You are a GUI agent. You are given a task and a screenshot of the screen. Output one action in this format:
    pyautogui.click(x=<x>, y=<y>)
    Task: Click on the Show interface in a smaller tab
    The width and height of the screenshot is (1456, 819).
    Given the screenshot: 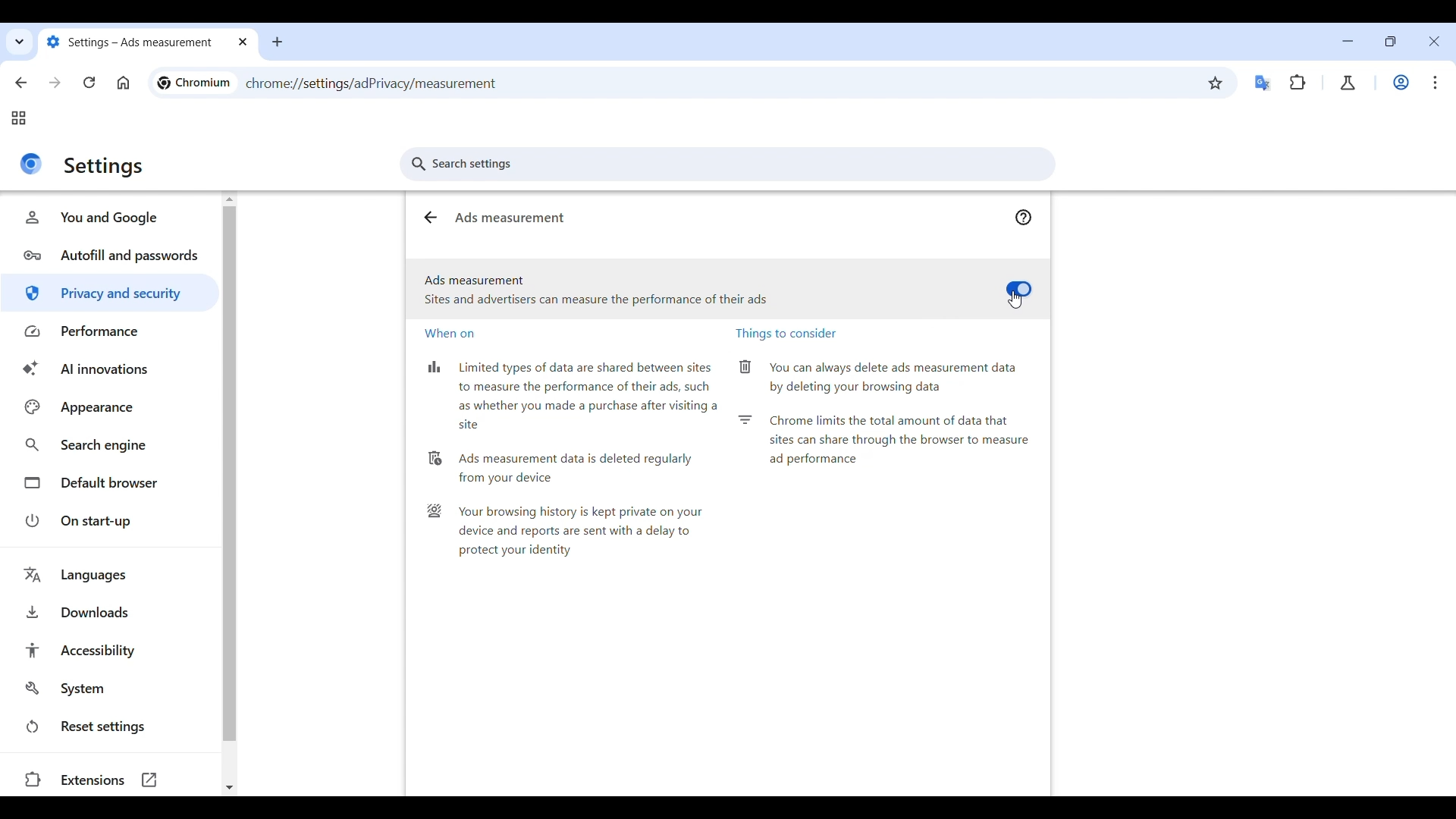 What is the action you would take?
    pyautogui.click(x=1391, y=41)
    